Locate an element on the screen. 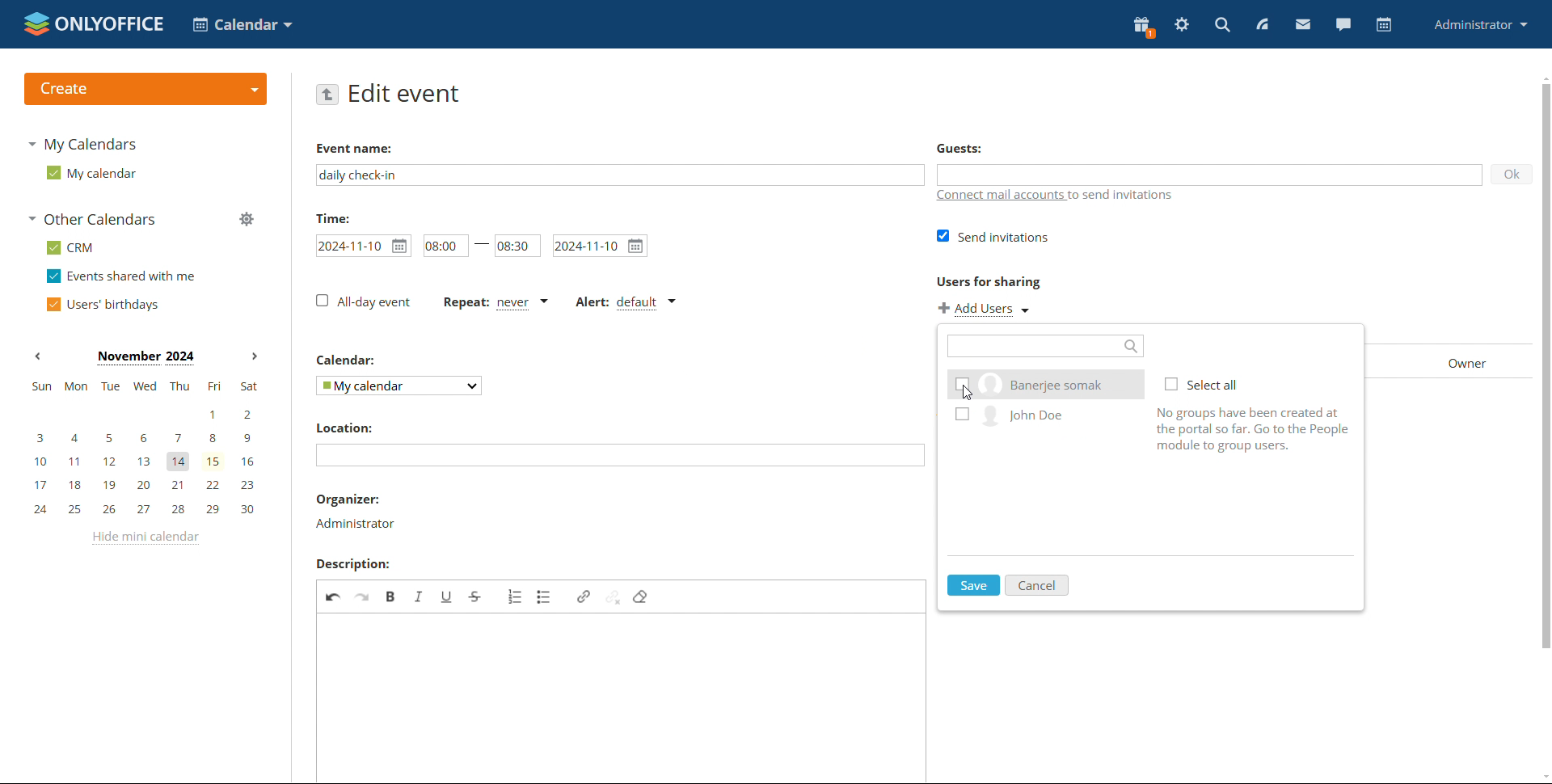 The height and width of the screenshot is (784, 1552). send invitation is located at coordinates (996, 236).